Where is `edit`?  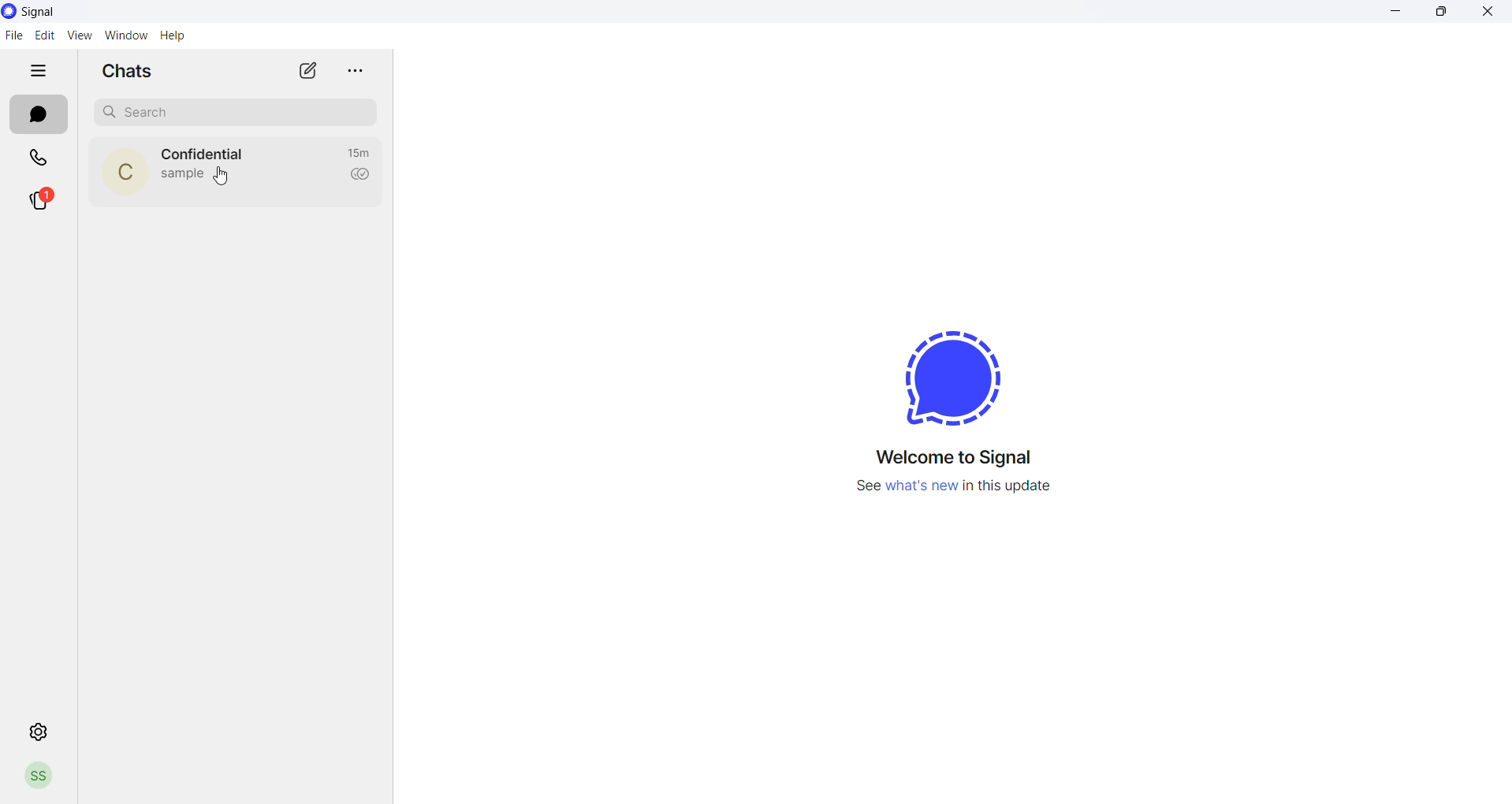 edit is located at coordinates (45, 35).